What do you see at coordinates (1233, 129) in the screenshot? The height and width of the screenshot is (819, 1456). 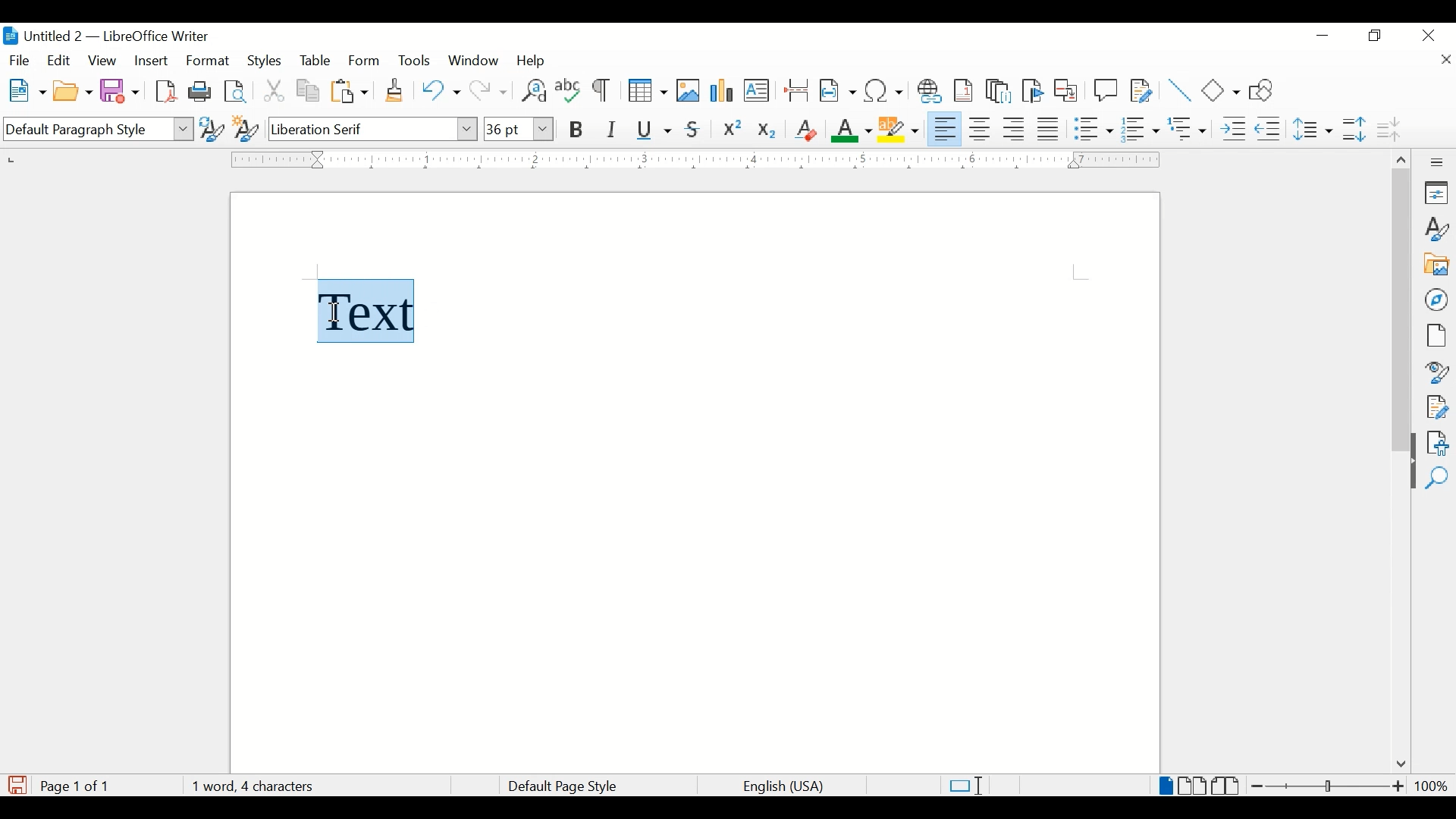 I see `increase indent` at bounding box center [1233, 129].